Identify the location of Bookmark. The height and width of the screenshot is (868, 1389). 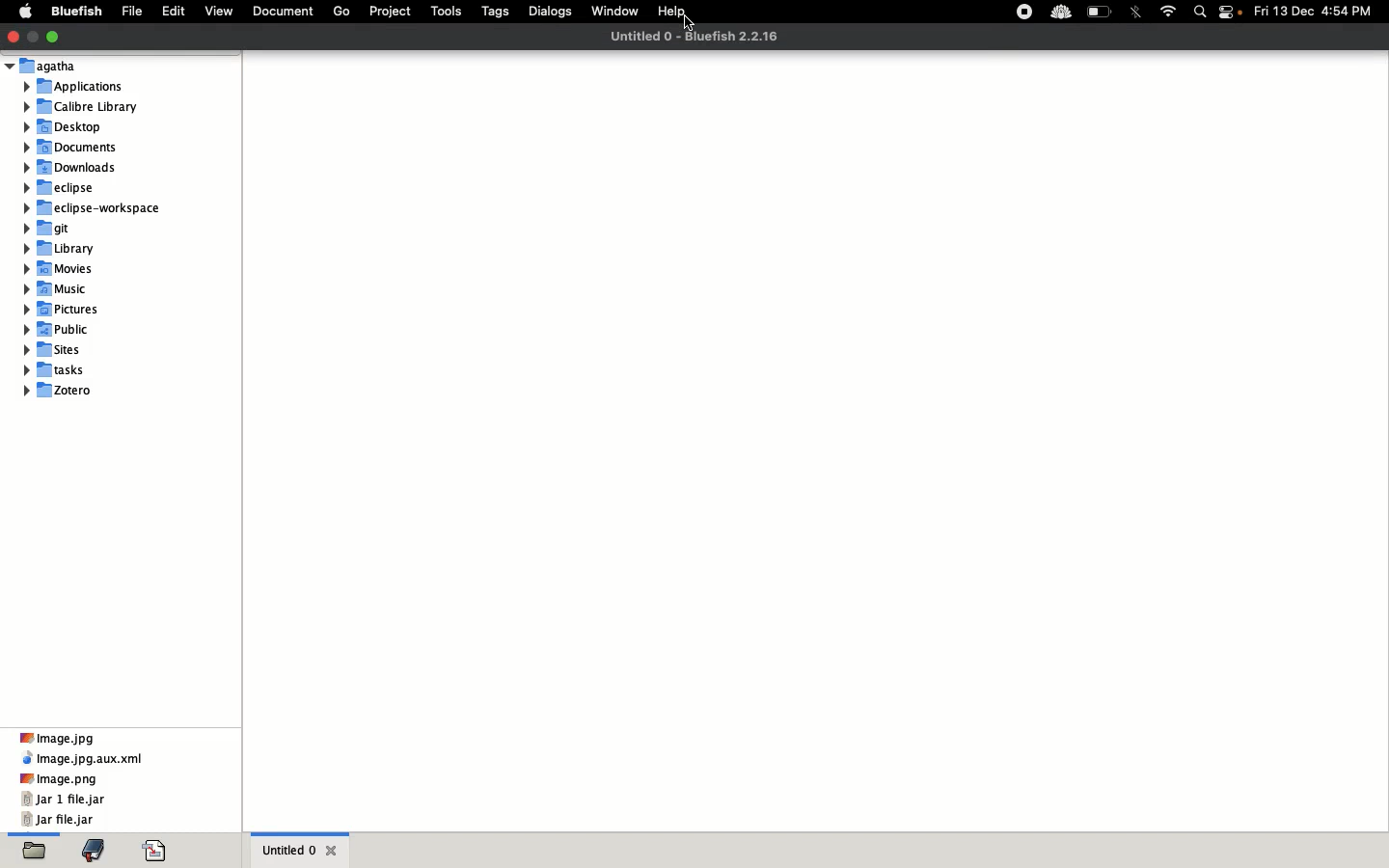
(94, 850).